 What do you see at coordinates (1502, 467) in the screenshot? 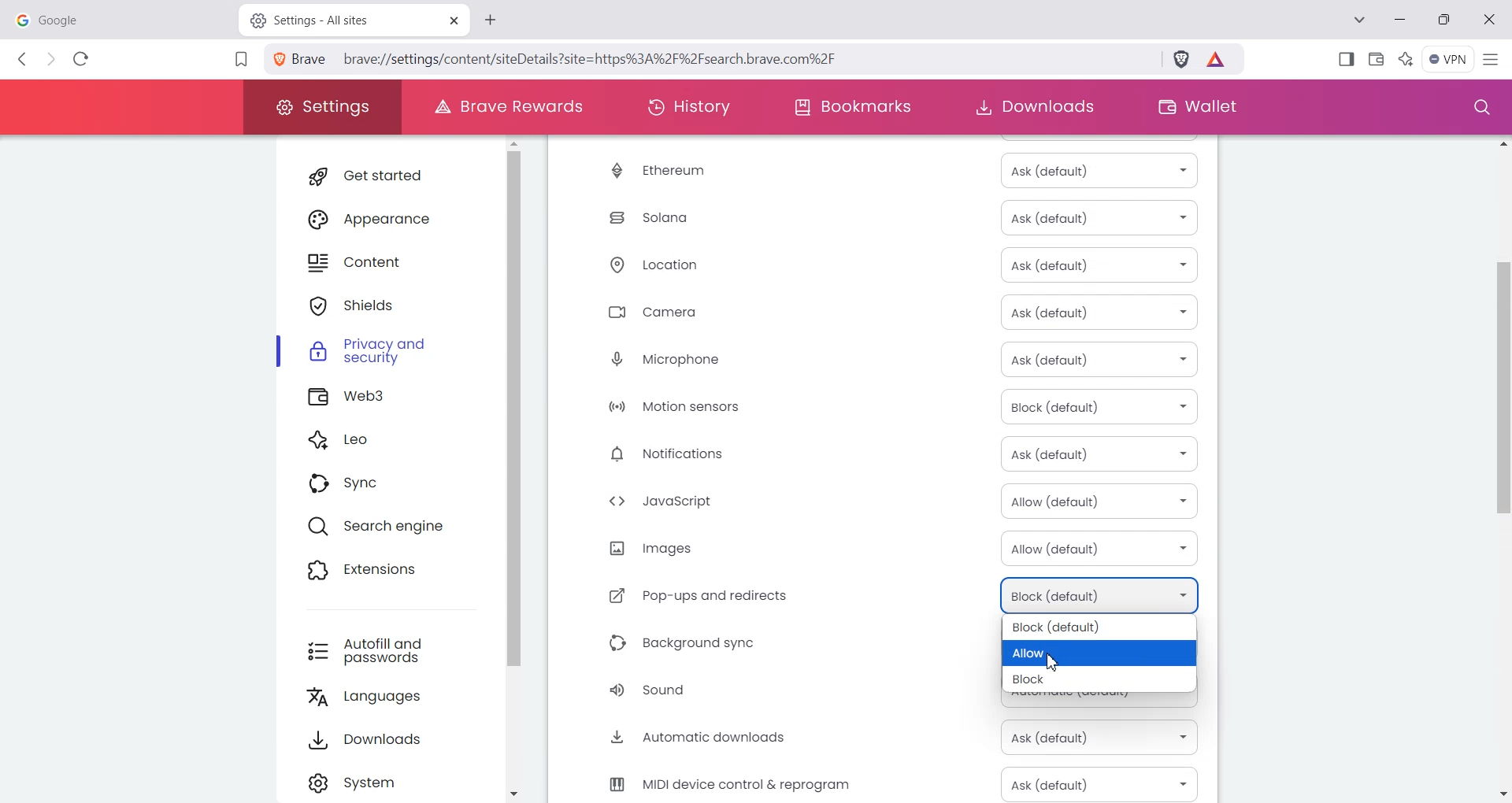
I see `Vertical scroll bar` at bounding box center [1502, 467].